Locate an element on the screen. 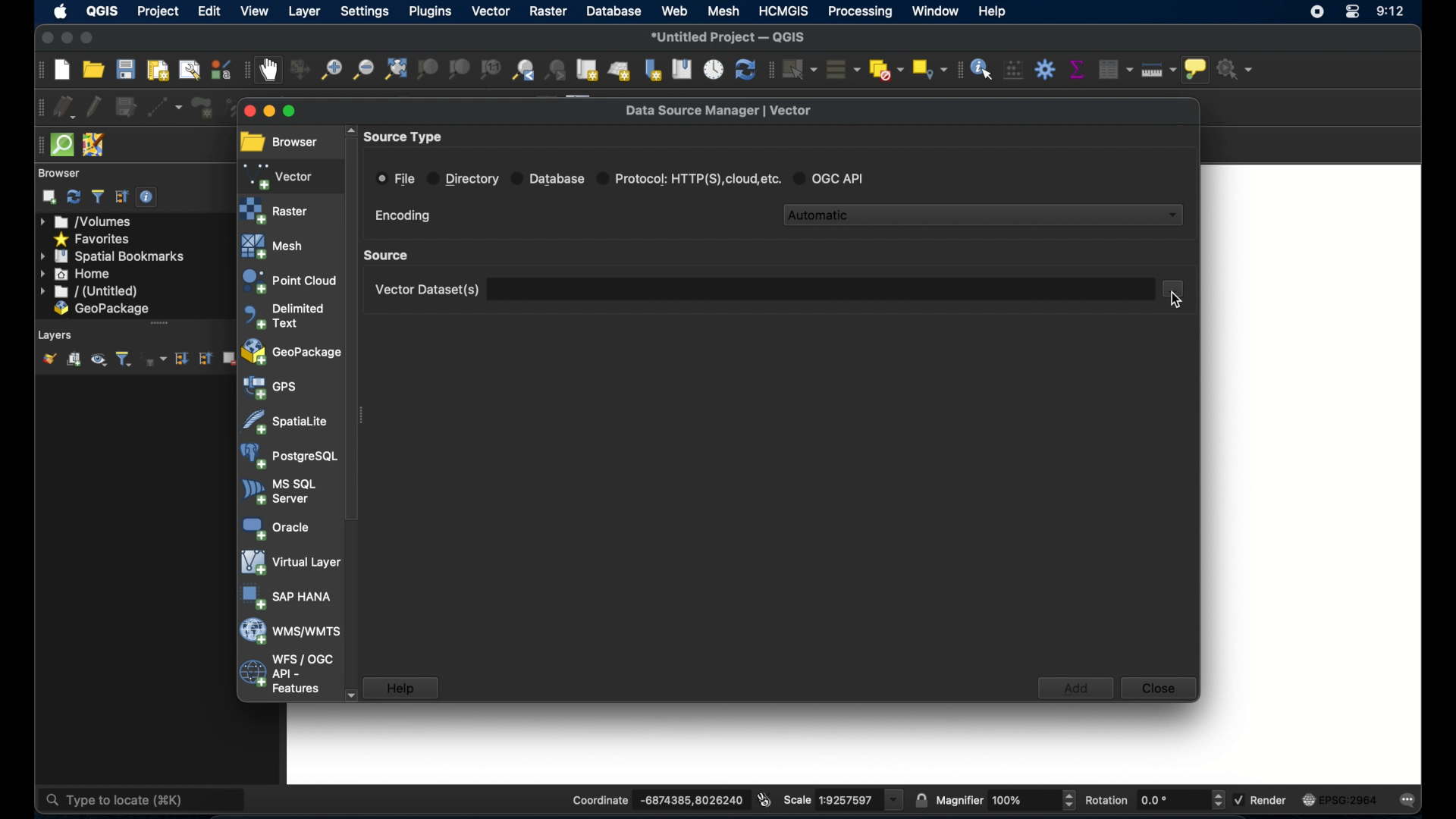  no action selected is located at coordinates (1241, 69).